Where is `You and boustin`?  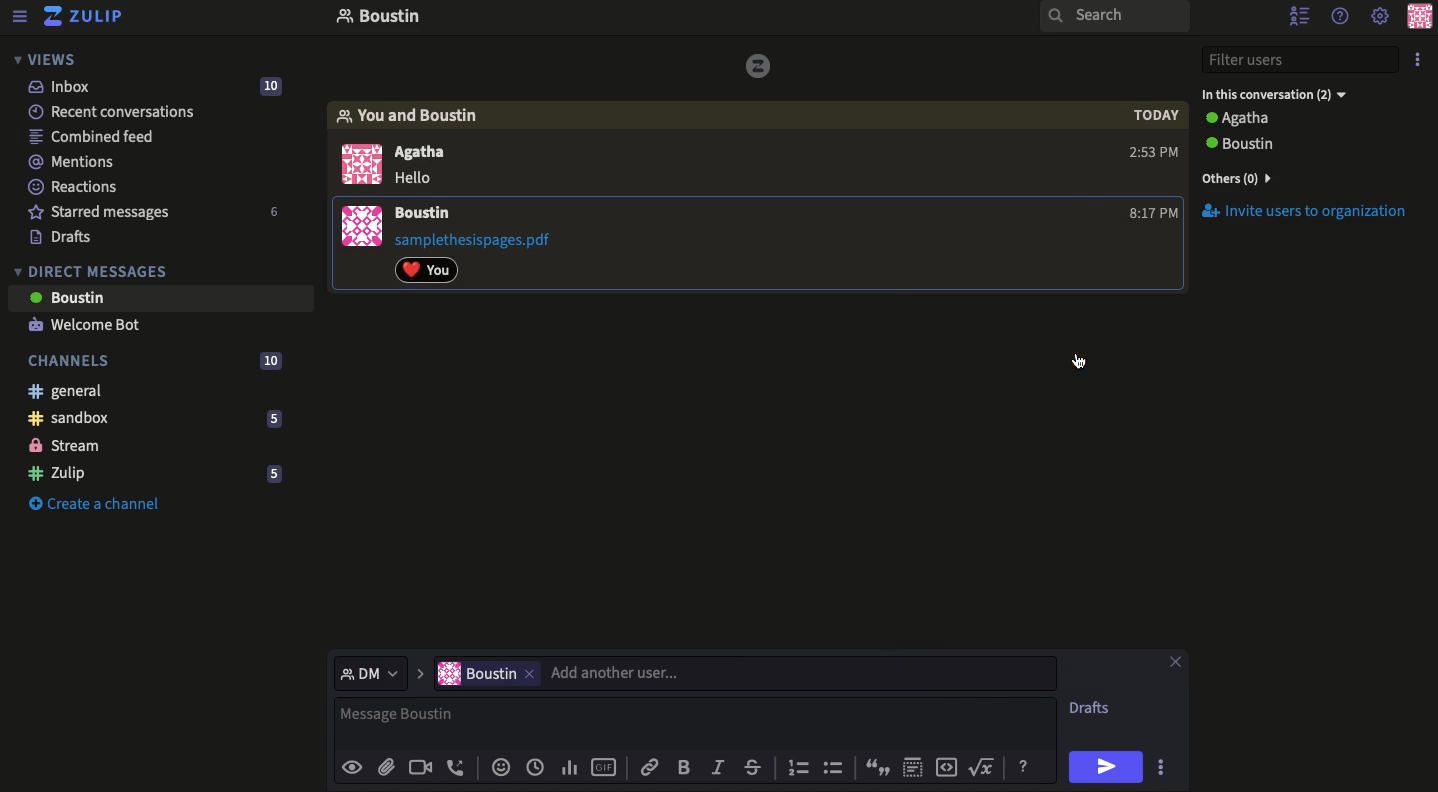 You and boustin is located at coordinates (417, 114).